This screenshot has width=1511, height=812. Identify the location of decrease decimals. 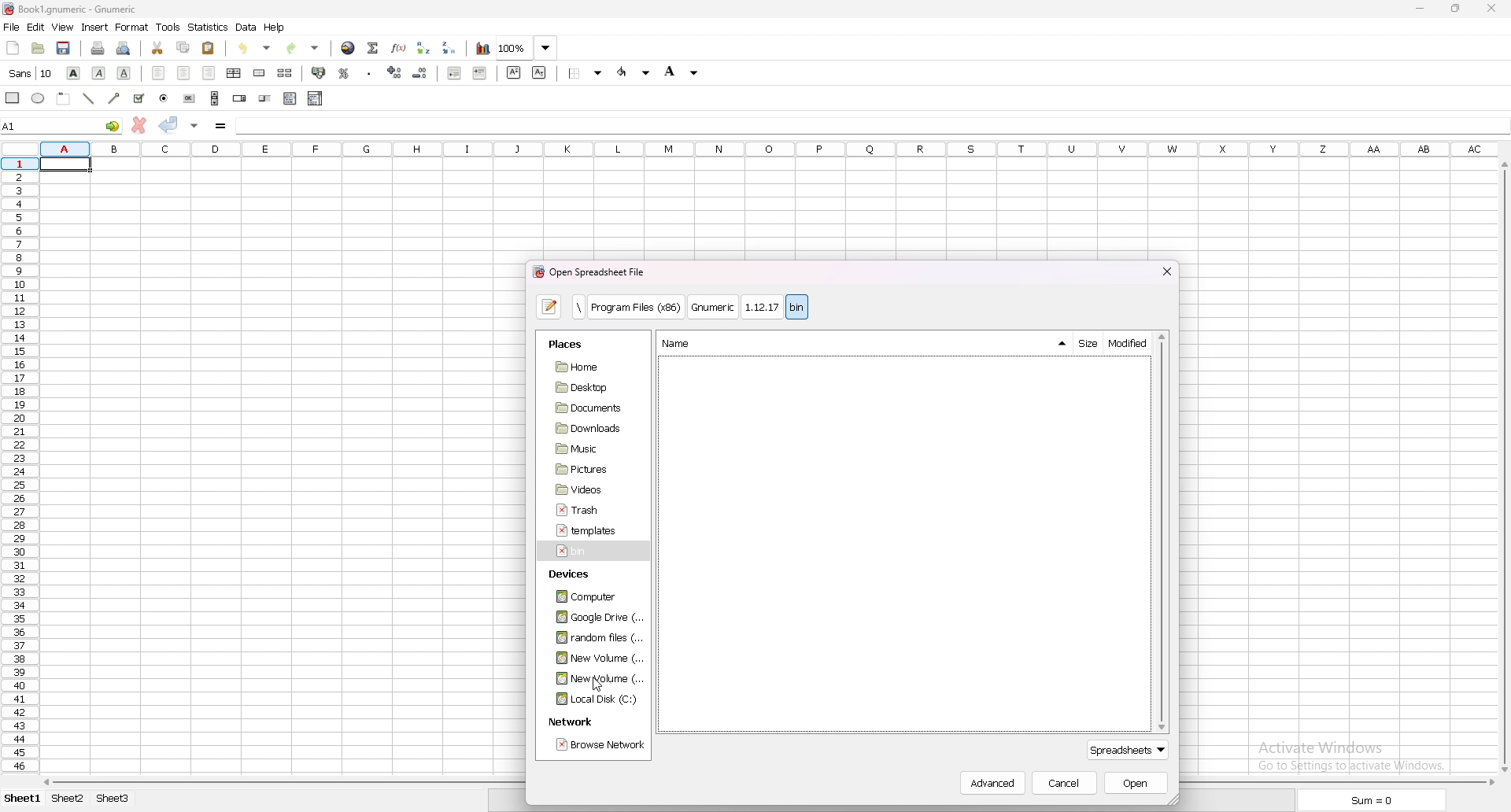
(422, 72).